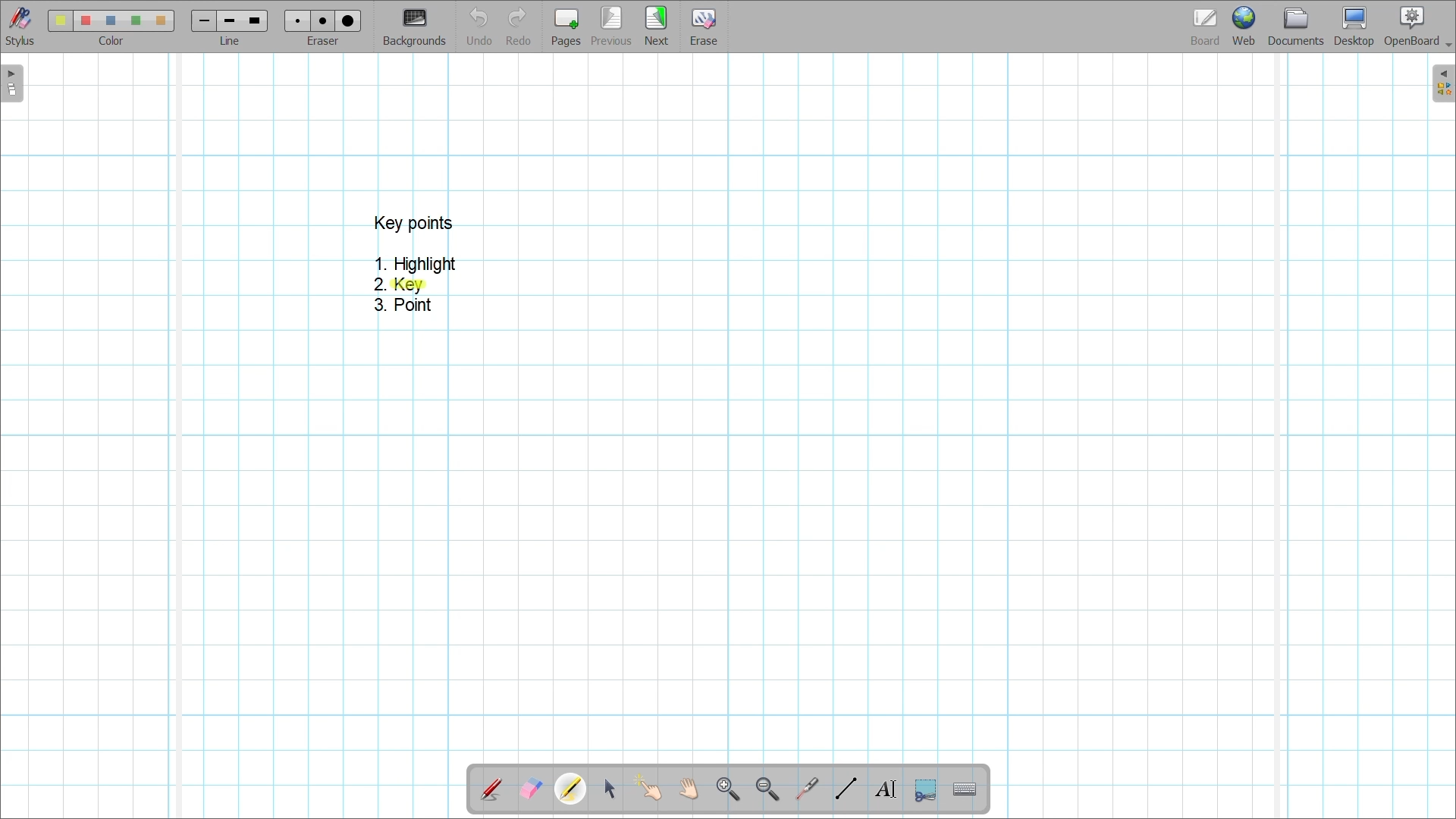  What do you see at coordinates (480, 26) in the screenshot?
I see `Undo` at bounding box center [480, 26].